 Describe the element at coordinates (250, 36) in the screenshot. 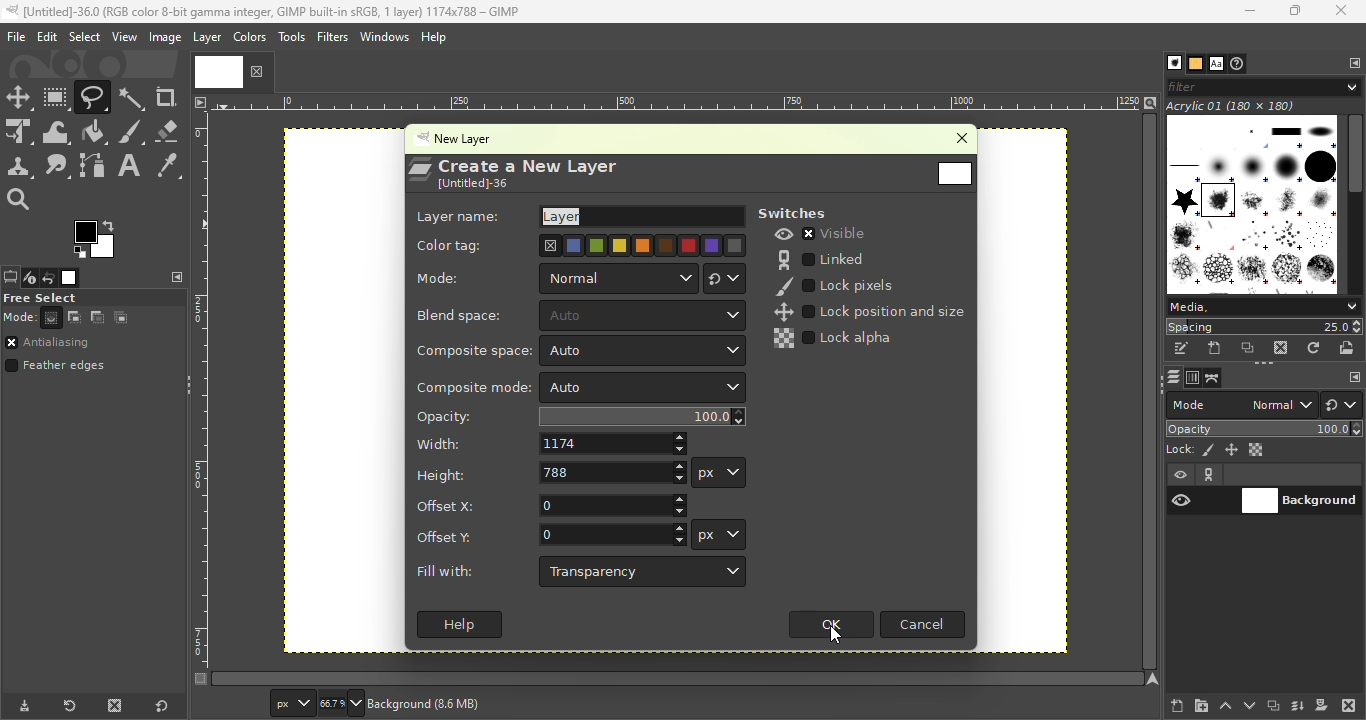

I see `Colors` at that location.